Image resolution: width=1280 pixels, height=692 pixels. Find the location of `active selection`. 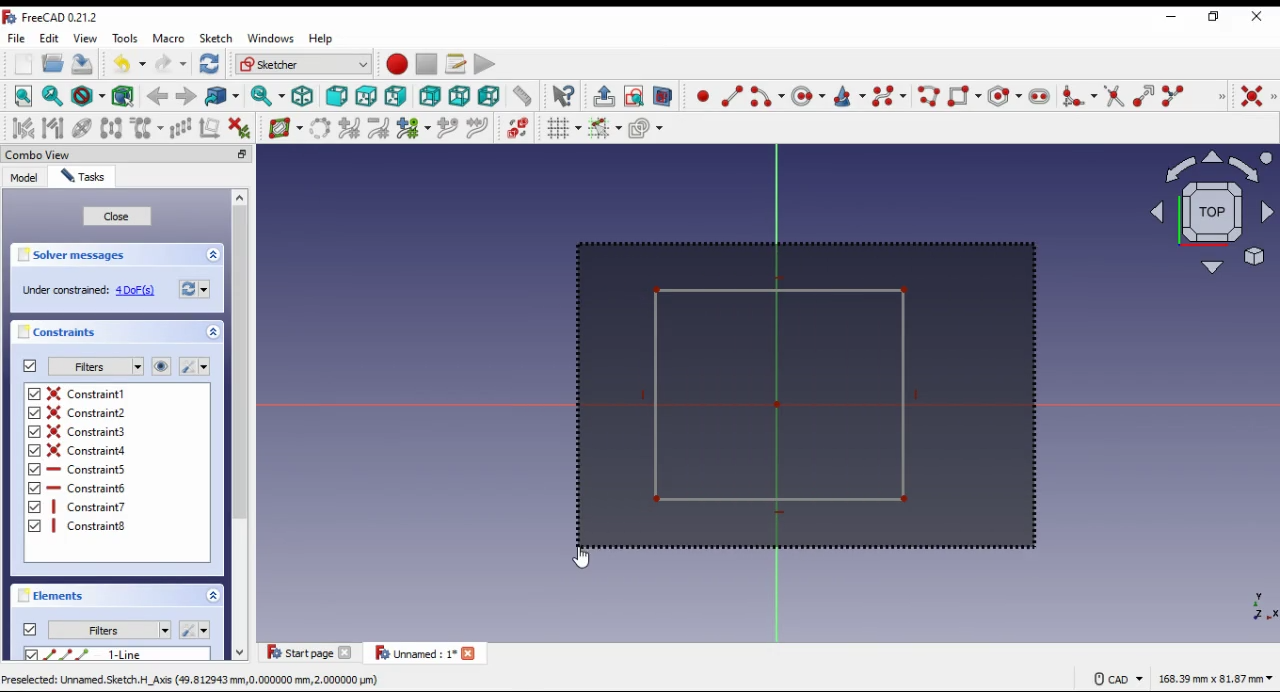

active selection is located at coordinates (807, 396).